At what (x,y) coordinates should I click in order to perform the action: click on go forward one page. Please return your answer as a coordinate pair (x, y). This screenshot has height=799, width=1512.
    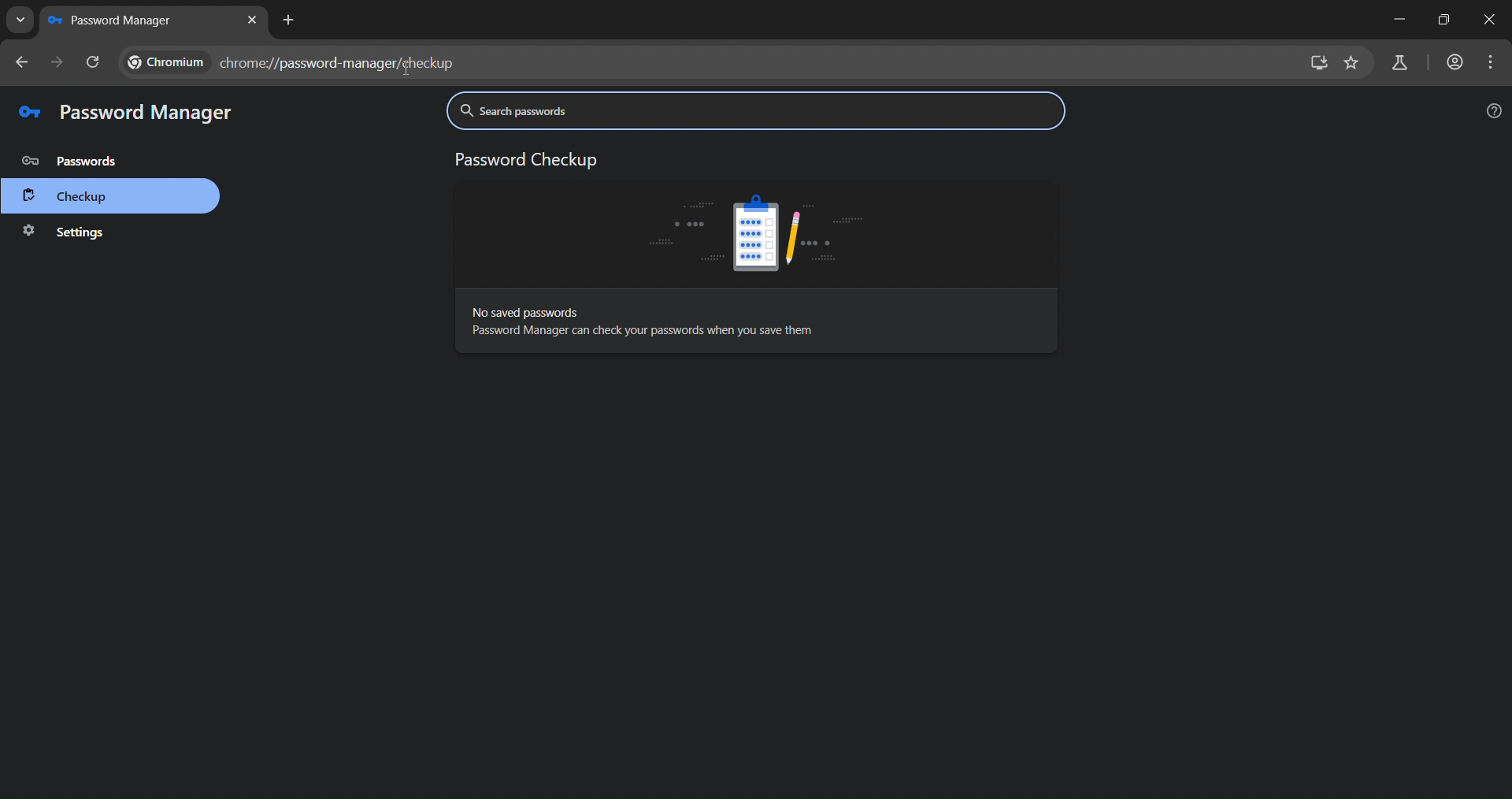
    Looking at the image, I should click on (56, 62).